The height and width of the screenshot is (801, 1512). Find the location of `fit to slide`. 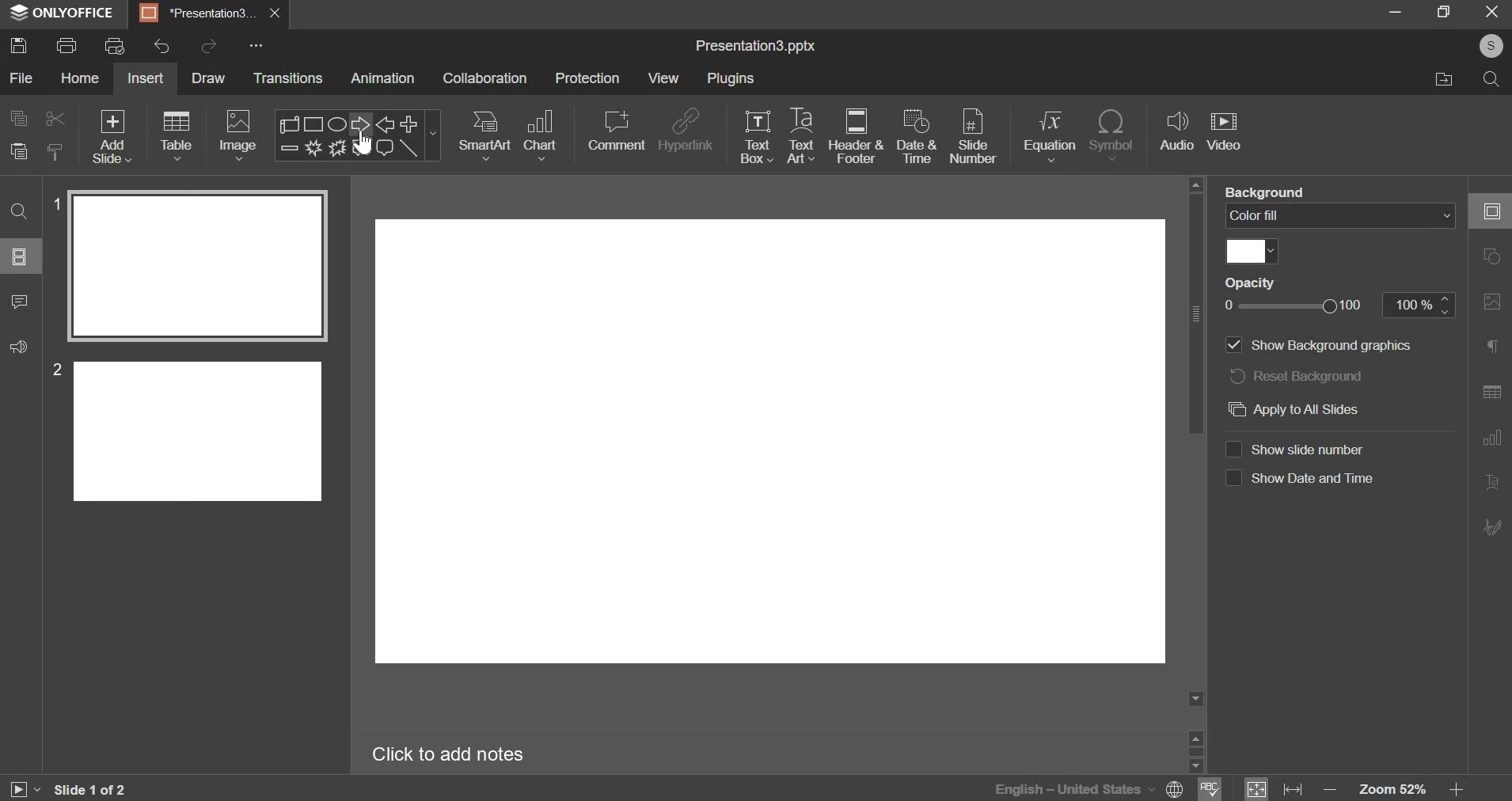

fit to slide is located at coordinates (1256, 789).